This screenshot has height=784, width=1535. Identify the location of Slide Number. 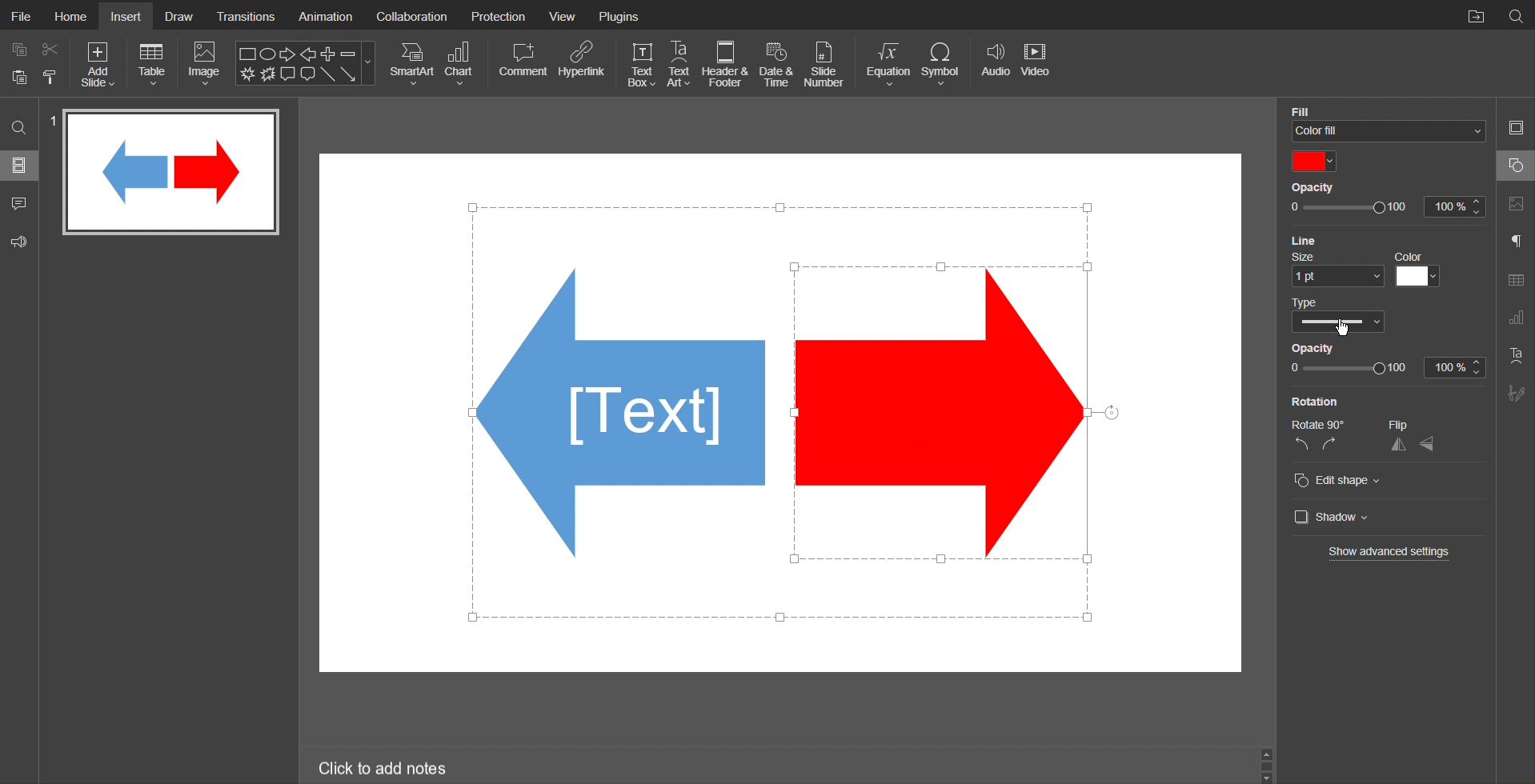
(828, 63).